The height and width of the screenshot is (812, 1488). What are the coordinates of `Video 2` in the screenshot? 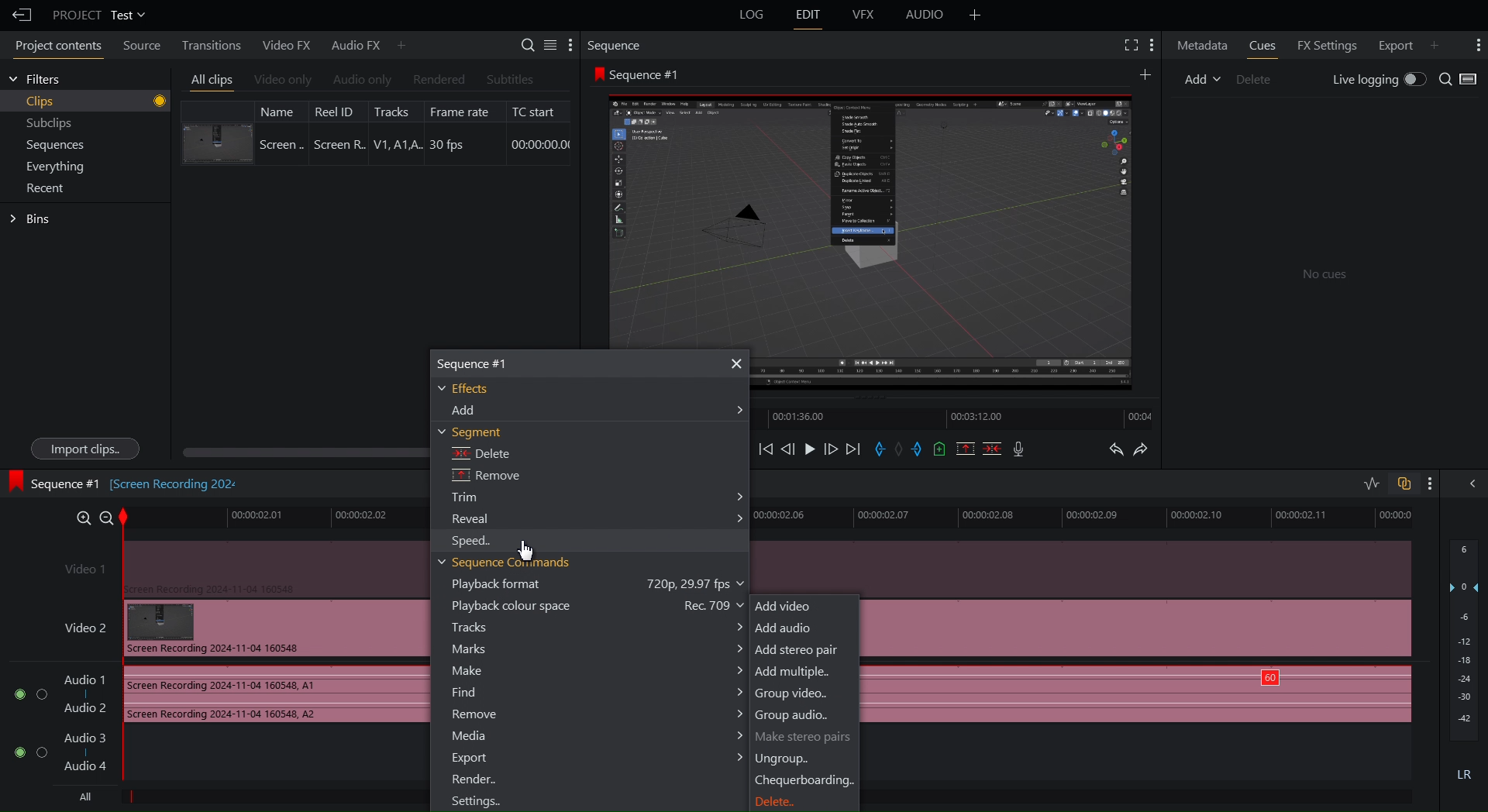 It's located at (237, 628).